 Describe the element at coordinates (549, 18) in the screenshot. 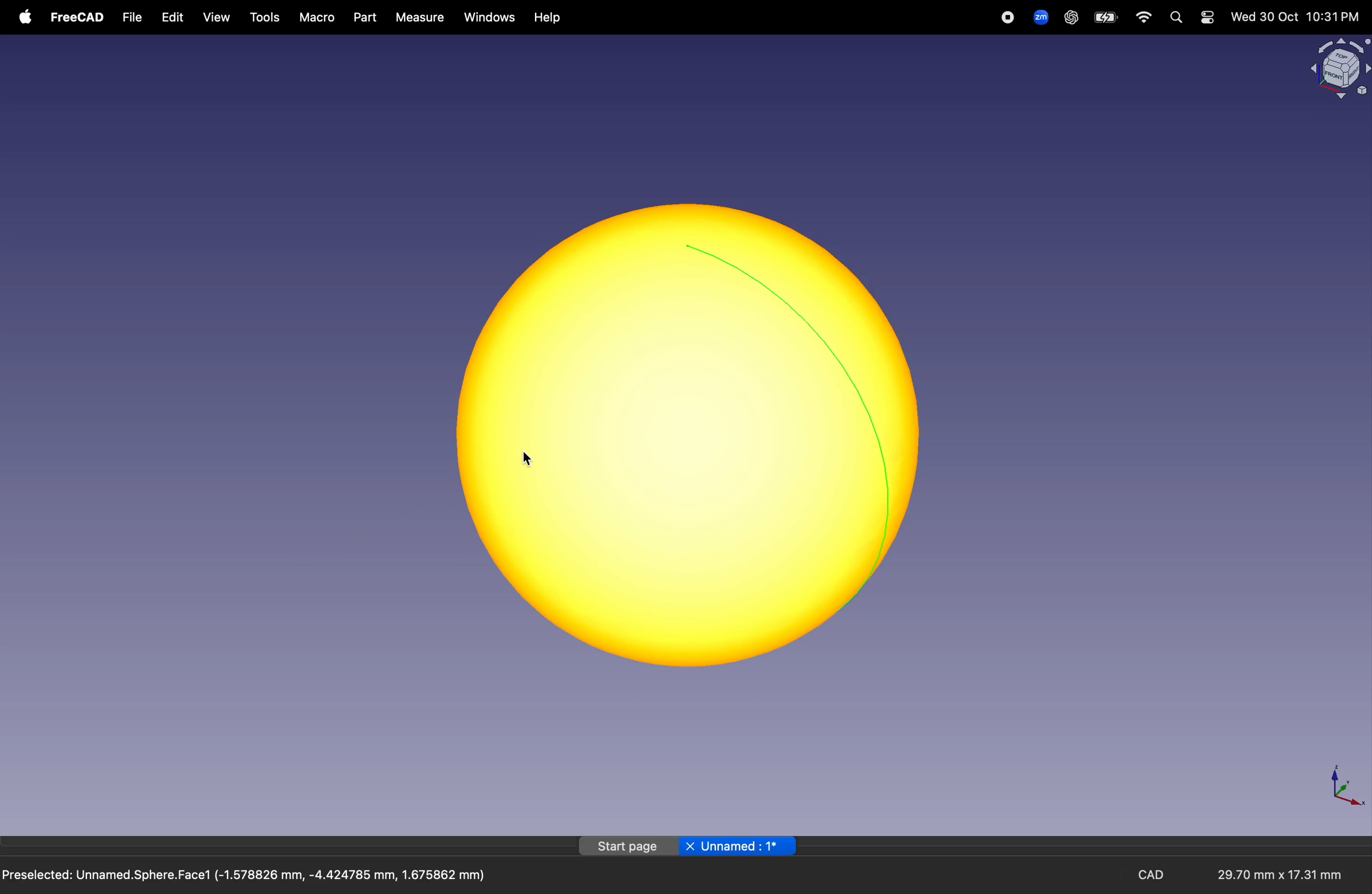

I see `help` at that location.